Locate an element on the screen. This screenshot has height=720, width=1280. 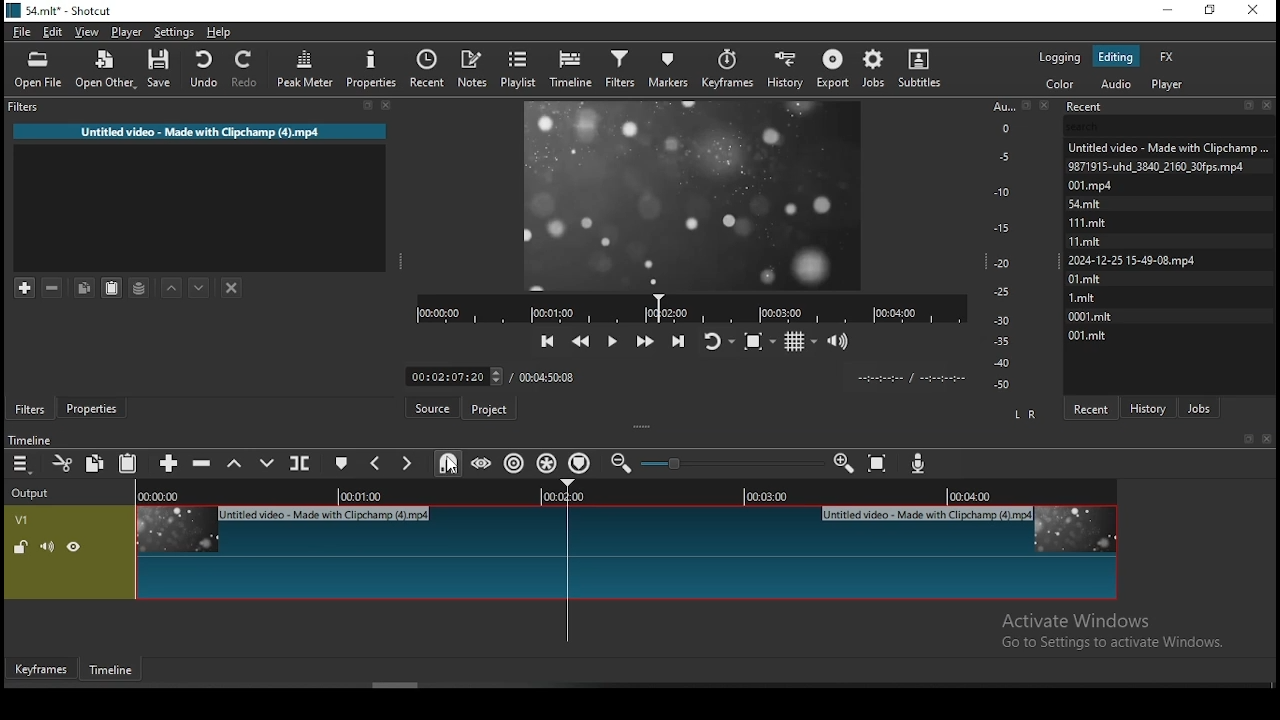
filters is located at coordinates (30, 410).